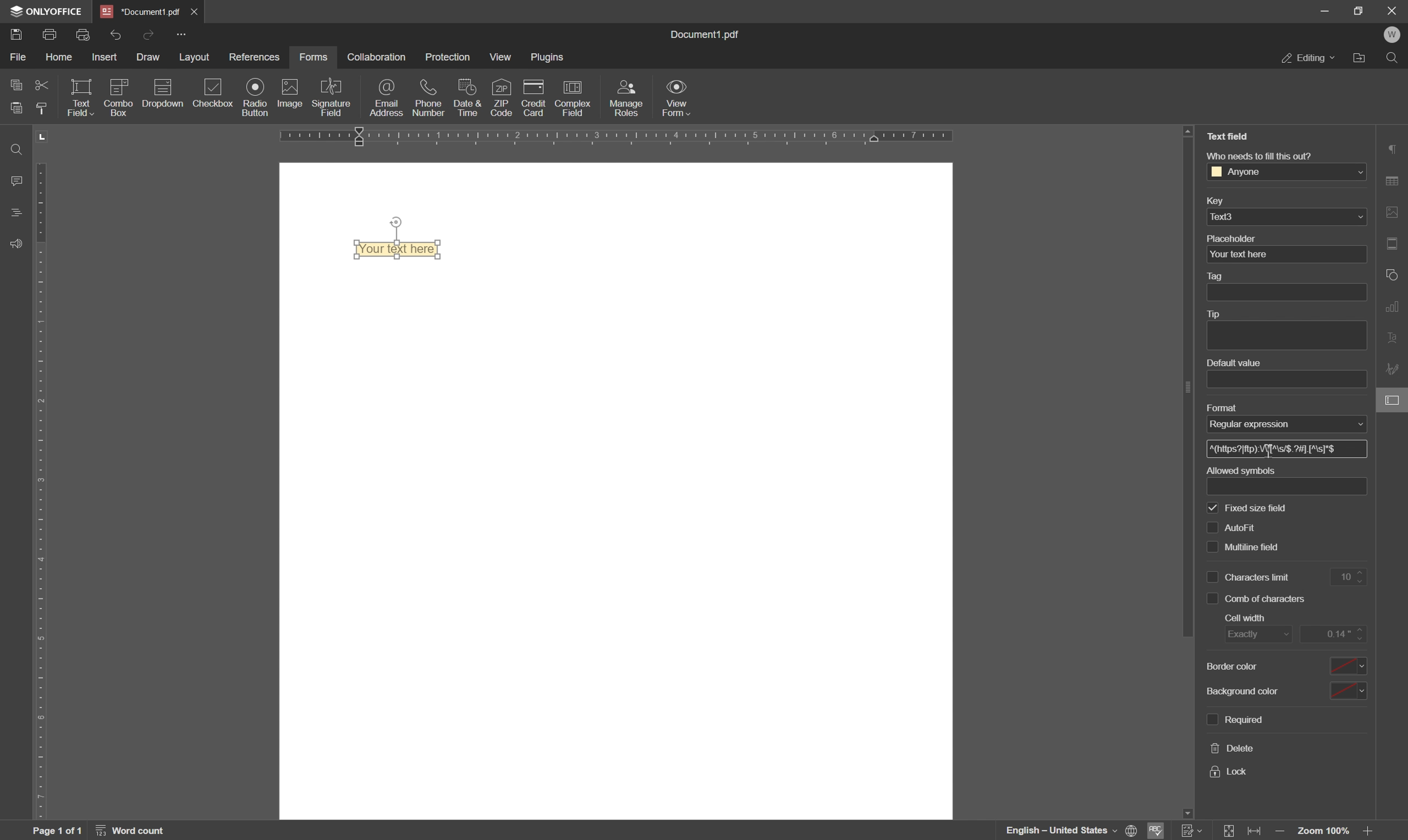 This screenshot has height=840, width=1408. What do you see at coordinates (1359, 58) in the screenshot?
I see `open file location` at bounding box center [1359, 58].